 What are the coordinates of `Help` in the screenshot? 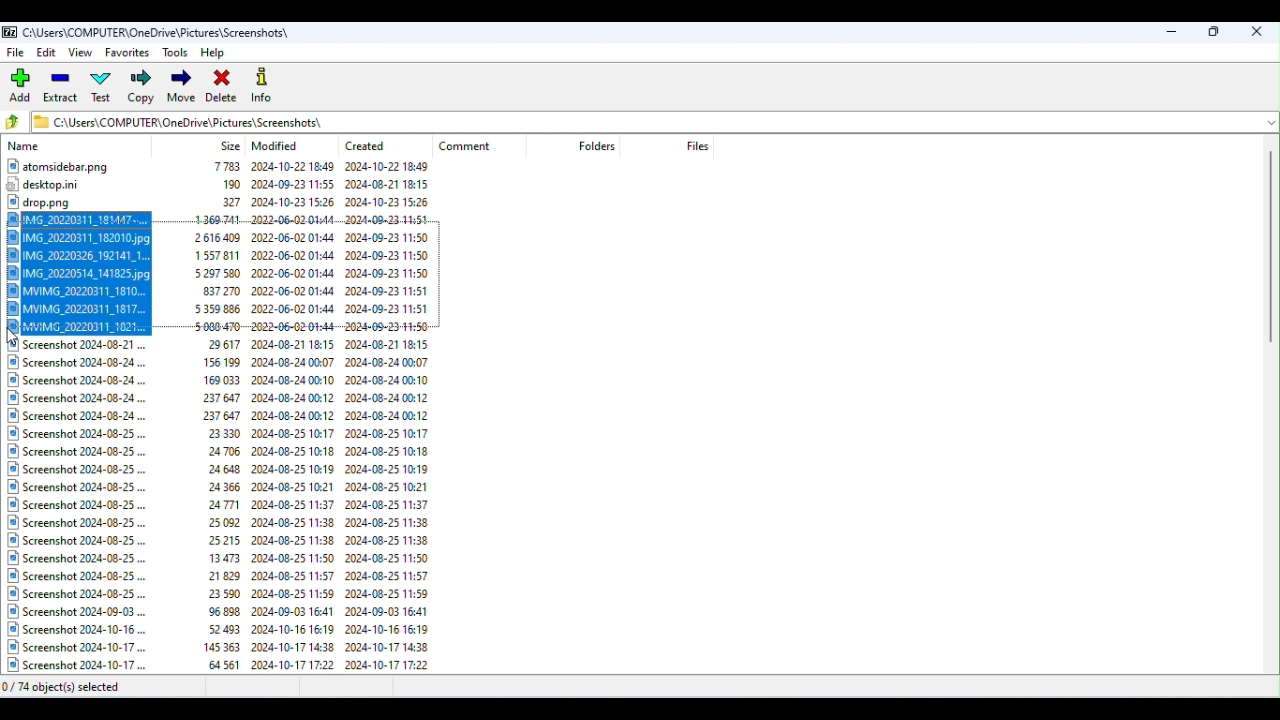 It's located at (218, 51).